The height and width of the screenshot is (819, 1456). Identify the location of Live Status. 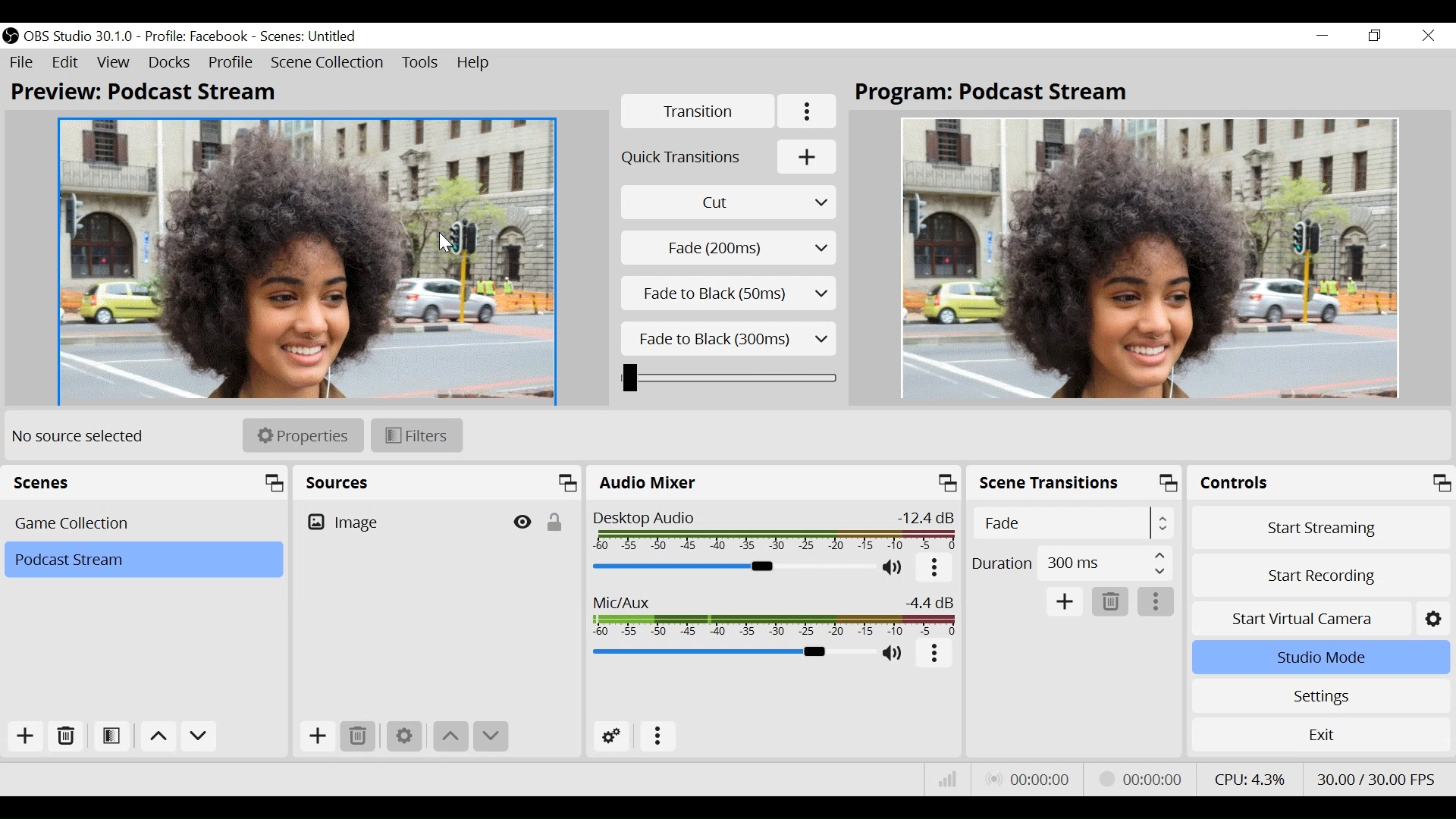
(1025, 779).